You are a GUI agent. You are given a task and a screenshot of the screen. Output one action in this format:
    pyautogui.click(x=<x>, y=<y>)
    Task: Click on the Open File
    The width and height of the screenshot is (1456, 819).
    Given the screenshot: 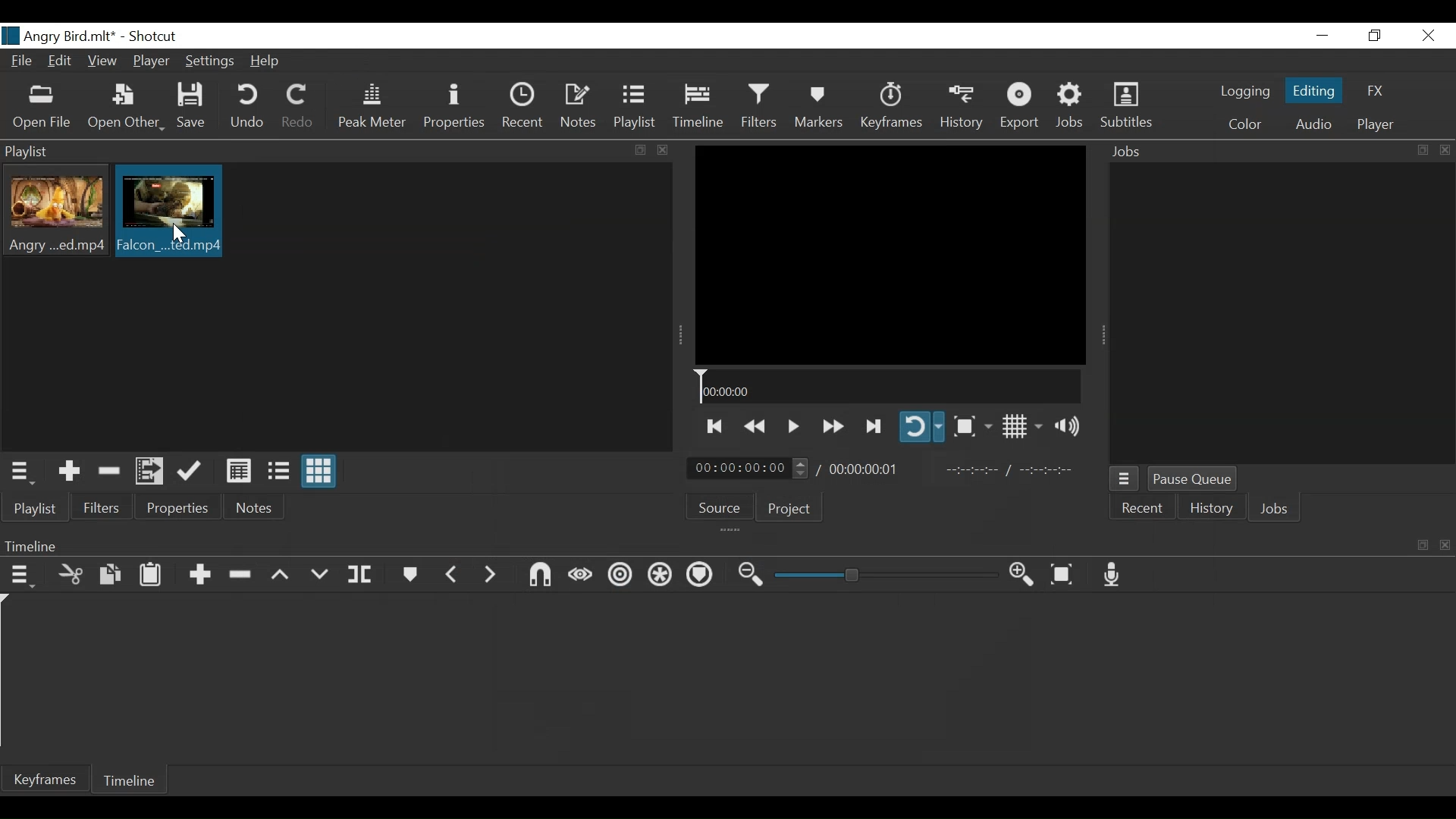 What is the action you would take?
    pyautogui.click(x=40, y=108)
    